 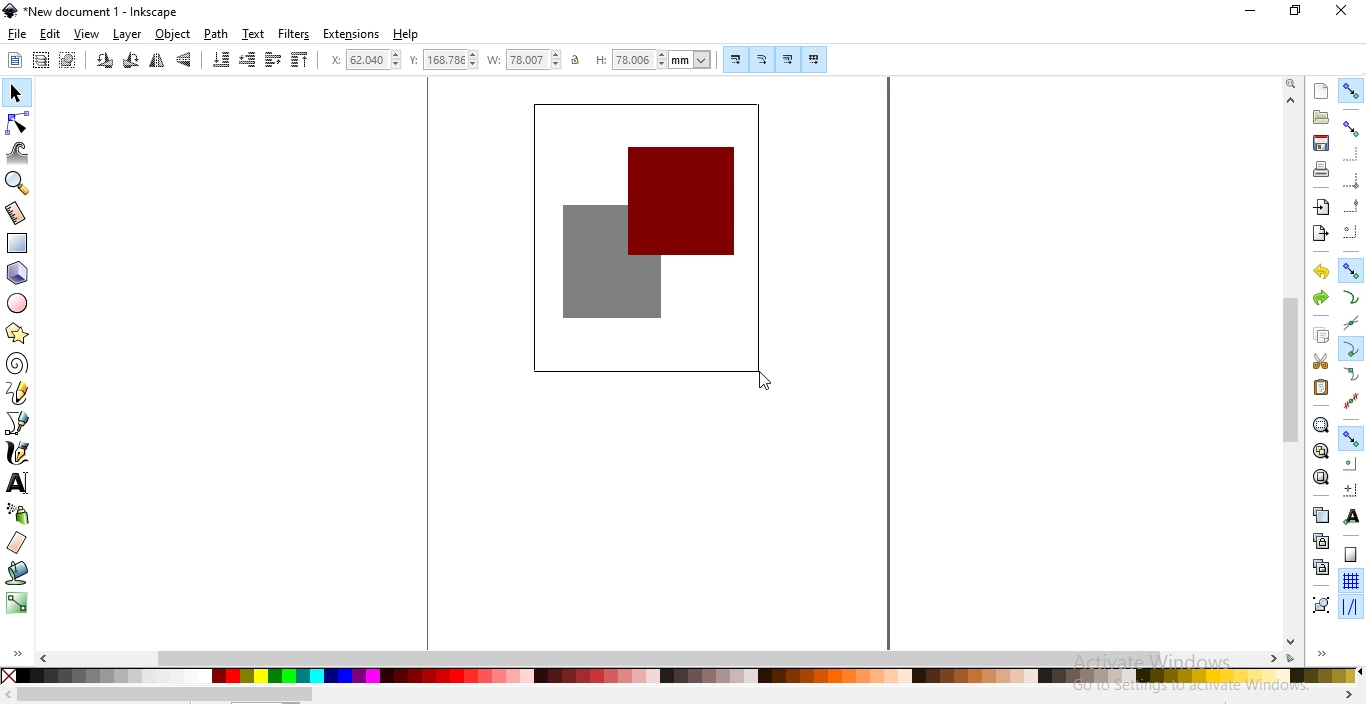 What do you see at coordinates (368, 62) in the screenshot?
I see `horizontal coordinate of selection` at bounding box center [368, 62].